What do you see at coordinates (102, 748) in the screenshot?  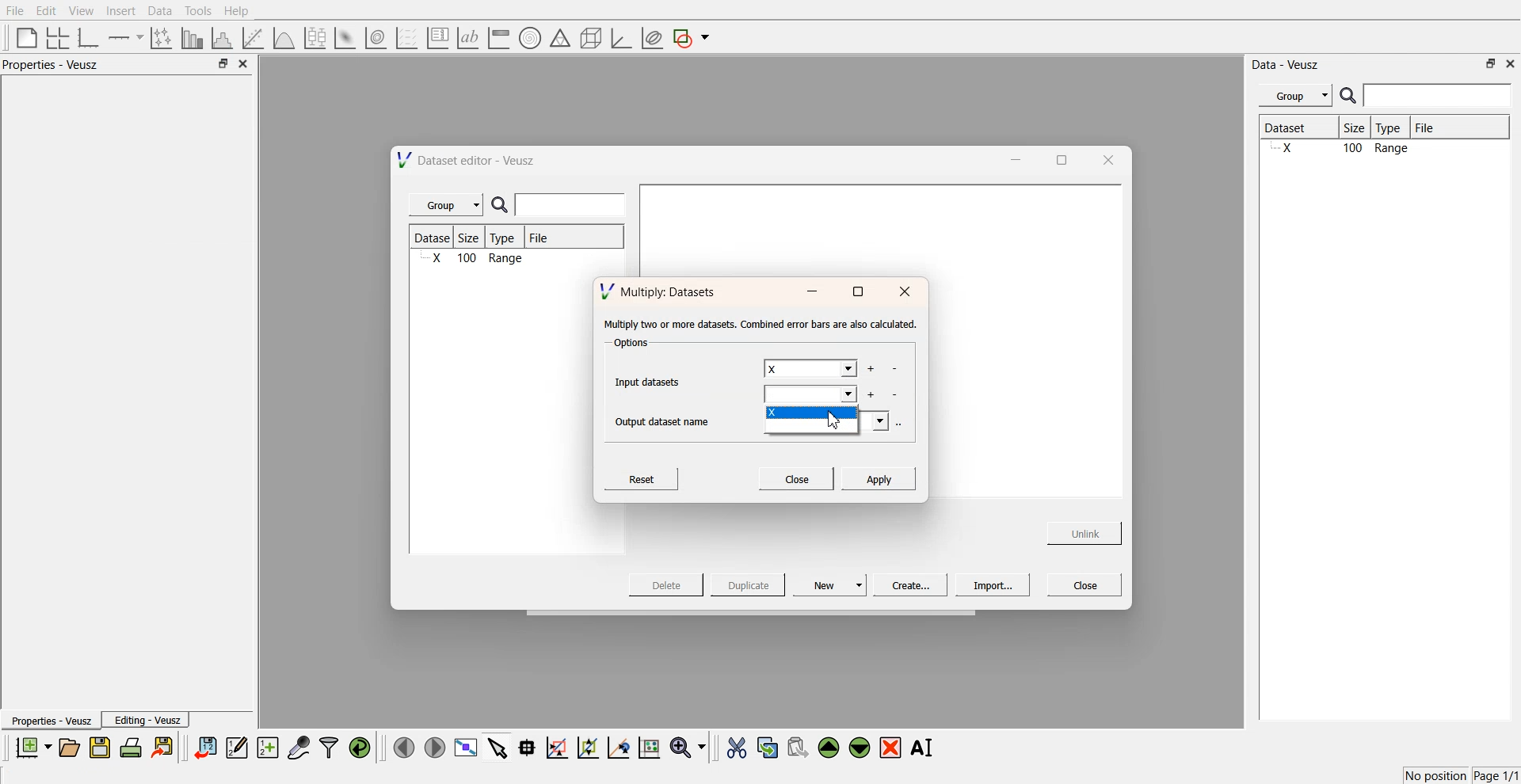 I see `save` at bounding box center [102, 748].